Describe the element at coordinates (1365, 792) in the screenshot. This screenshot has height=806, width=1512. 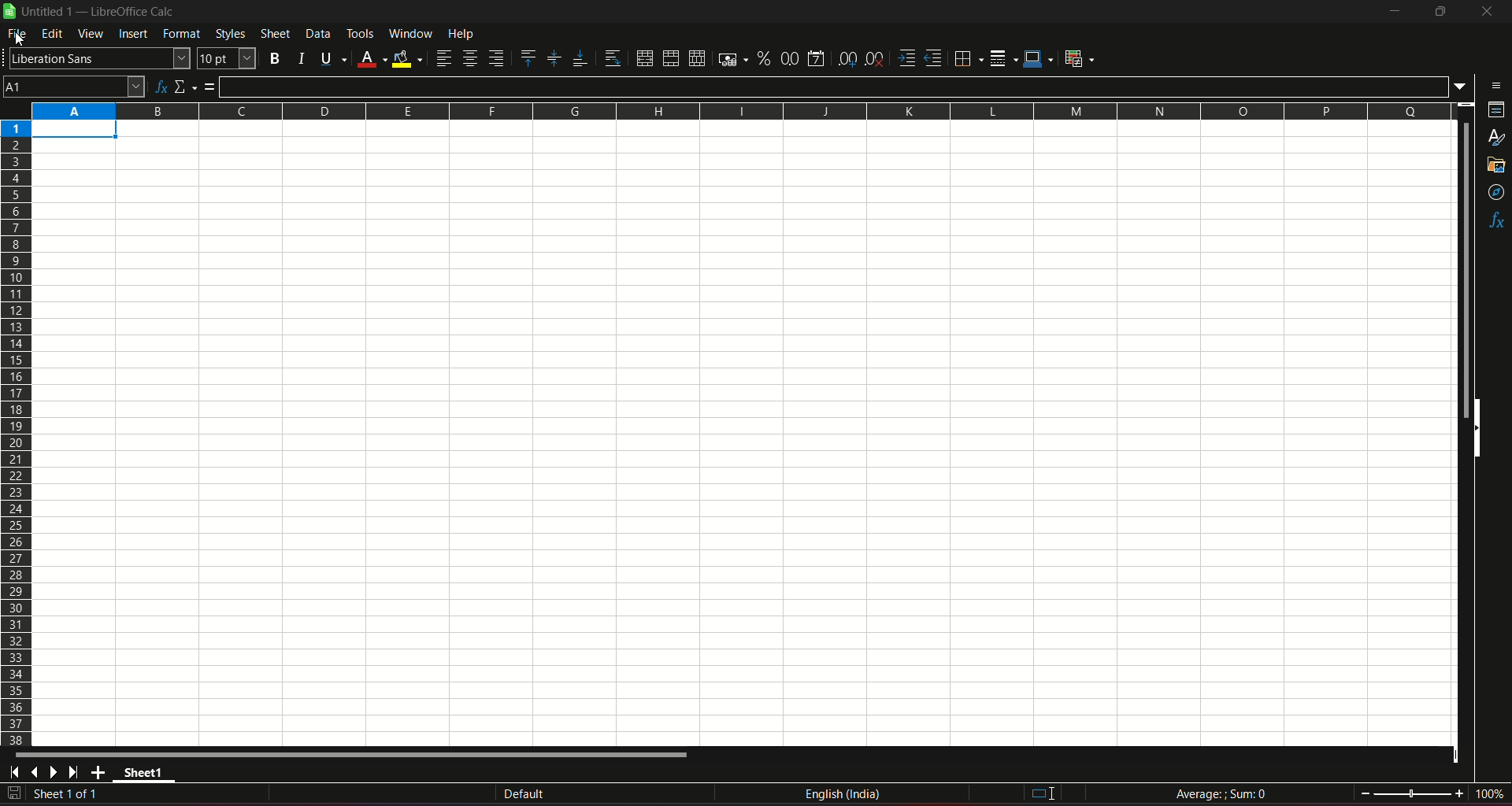
I see `zoom out` at that location.